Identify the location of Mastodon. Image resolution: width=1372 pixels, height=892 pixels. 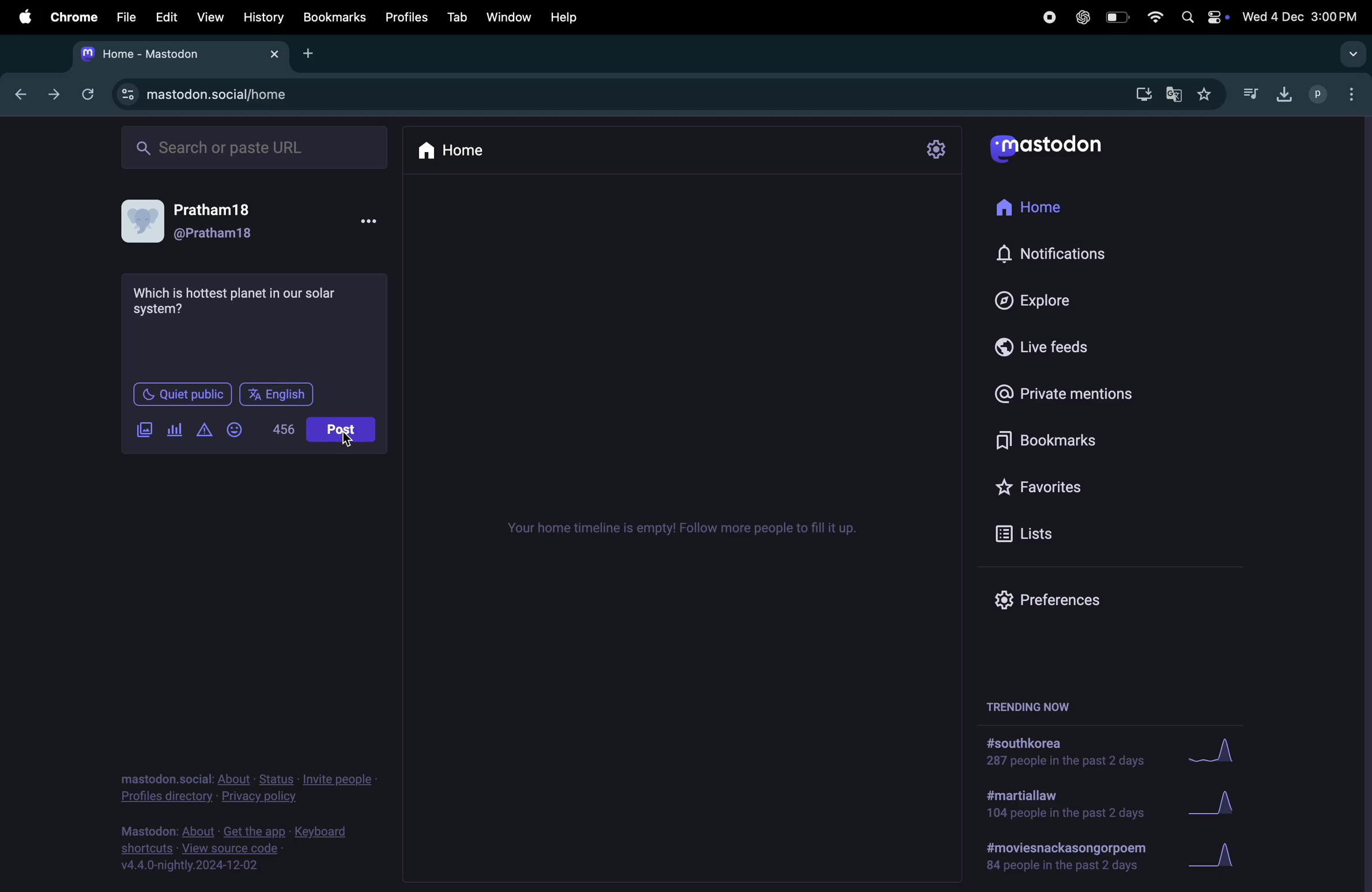
(1058, 147).